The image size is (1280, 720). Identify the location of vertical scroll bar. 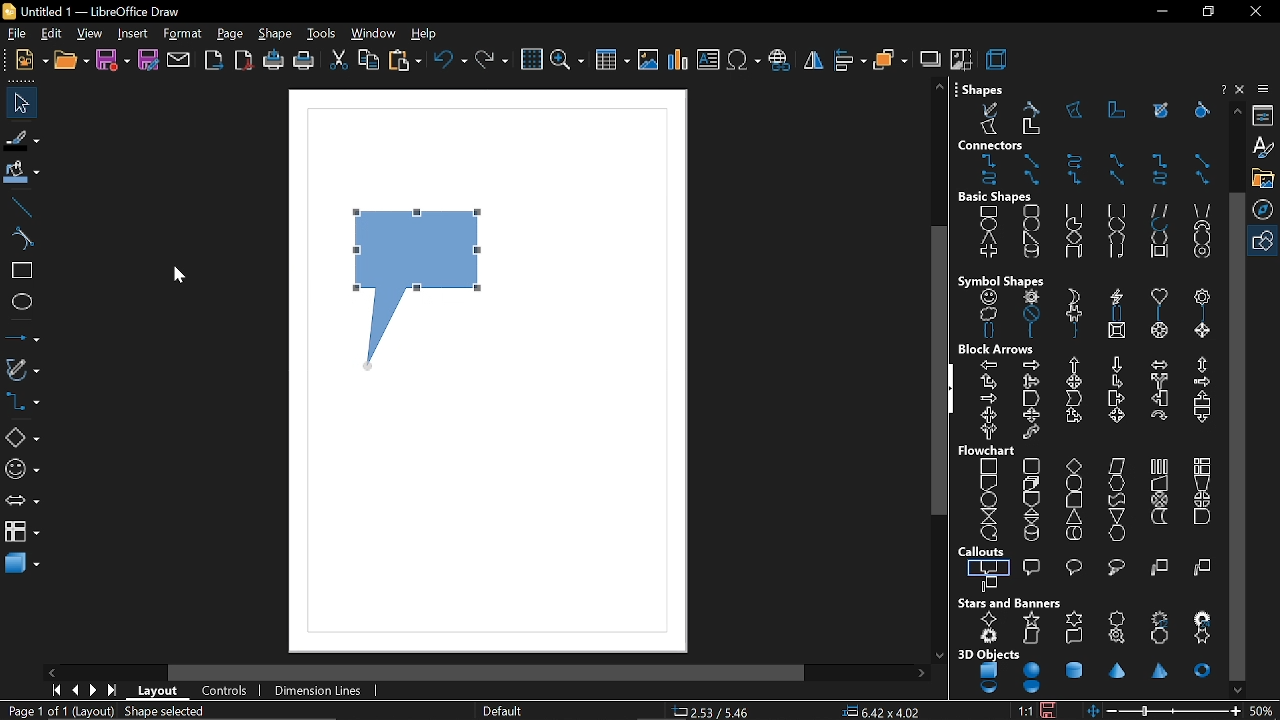
(939, 372).